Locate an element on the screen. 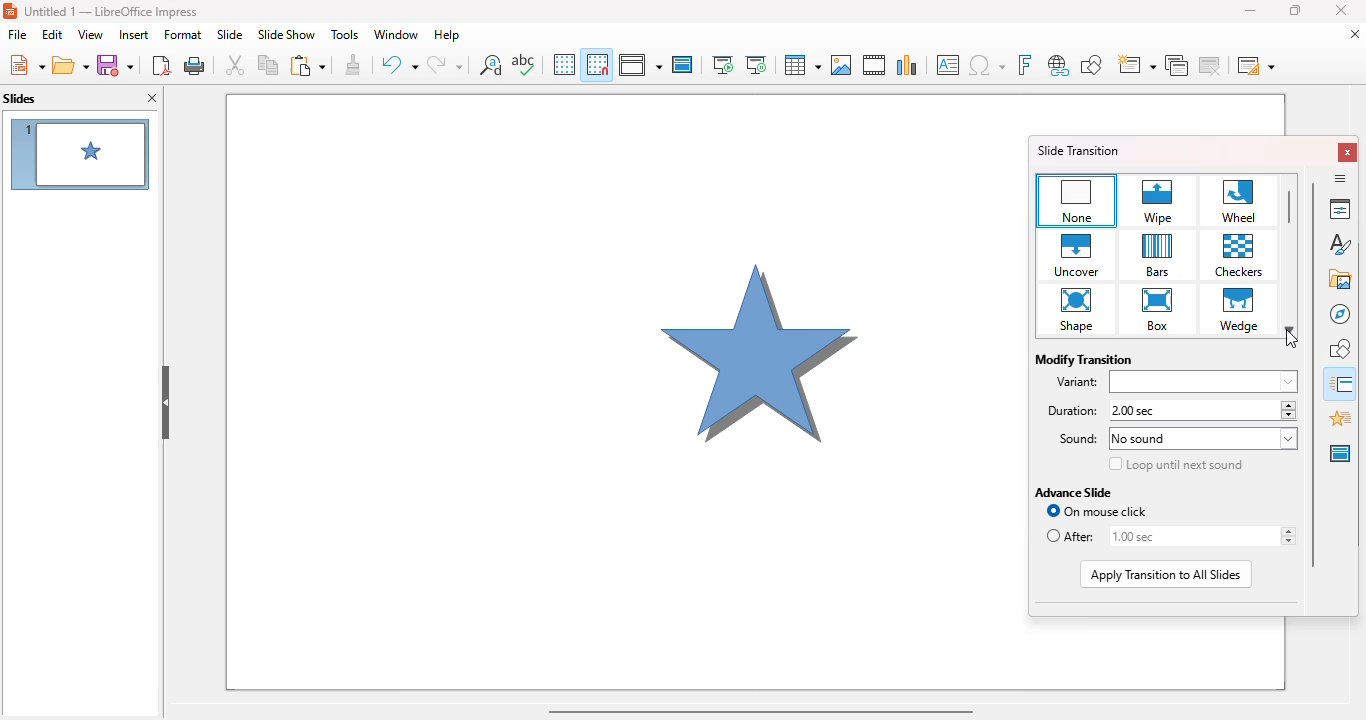 Image resolution: width=1366 pixels, height=720 pixels. format is located at coordinates (183, 34).